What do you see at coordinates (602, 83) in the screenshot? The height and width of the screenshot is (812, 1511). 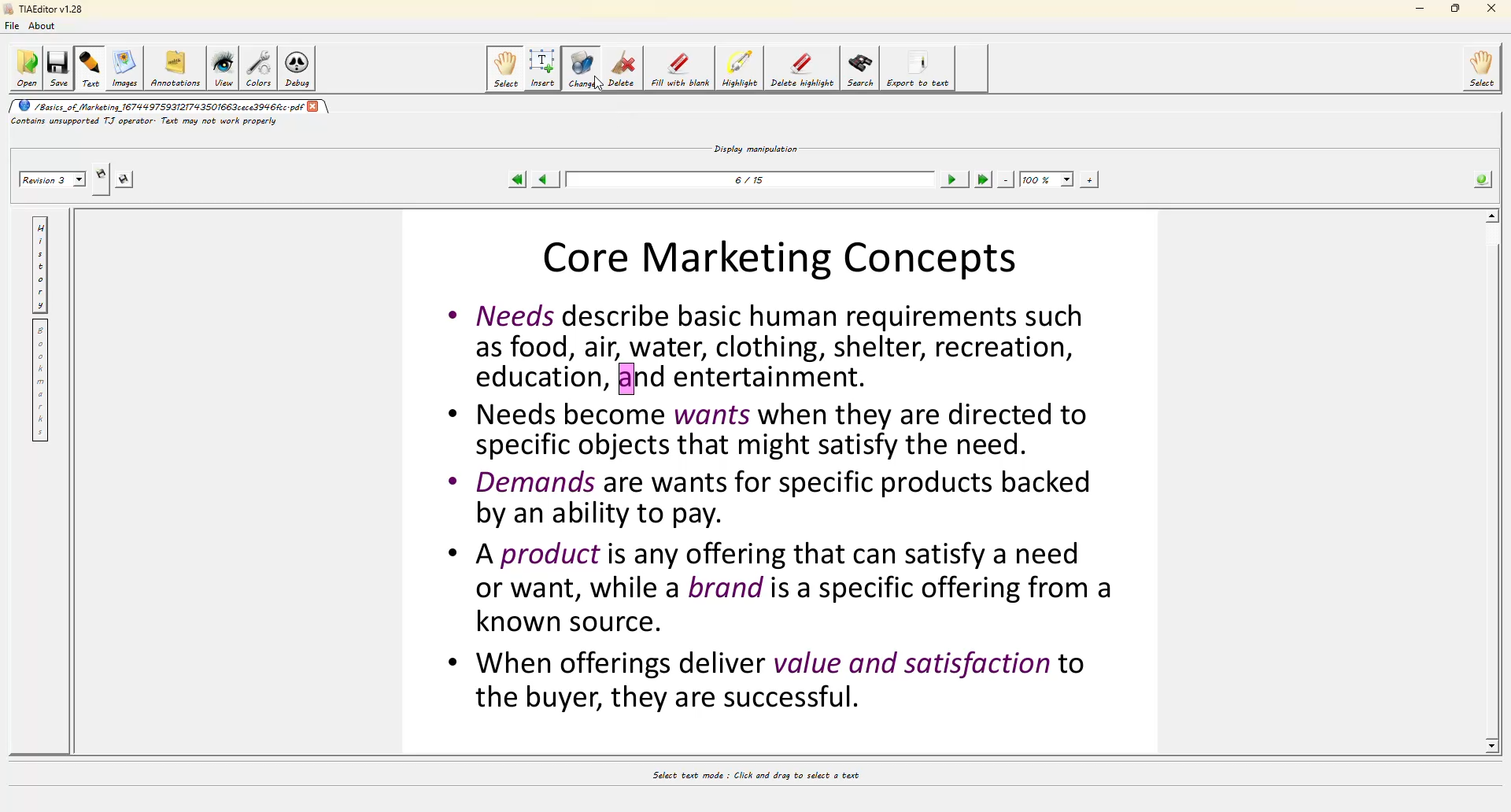 I see `cursor` at bounding box center [602, 83].